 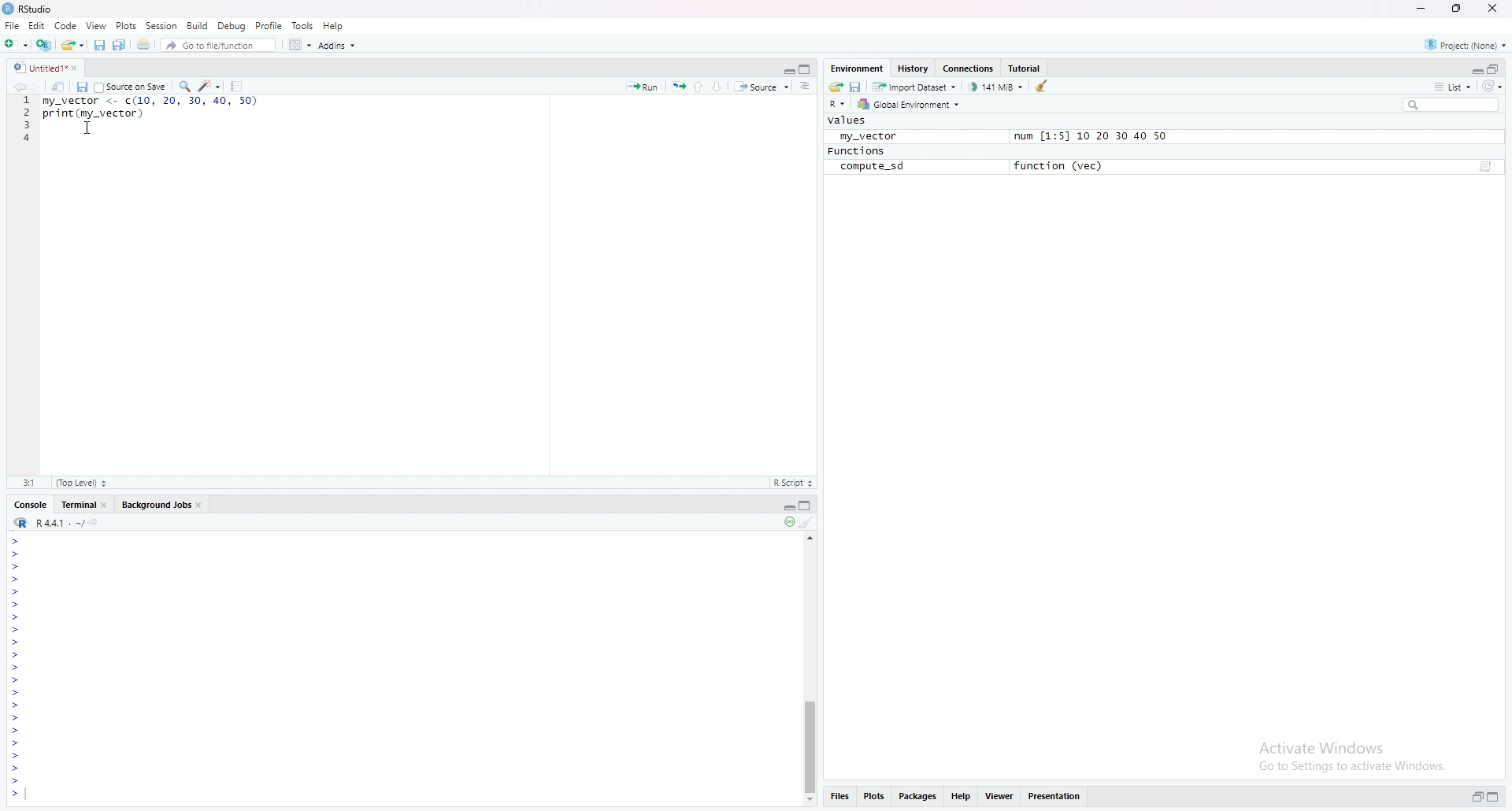 I want to click on Files, so click(x=839, y=795).